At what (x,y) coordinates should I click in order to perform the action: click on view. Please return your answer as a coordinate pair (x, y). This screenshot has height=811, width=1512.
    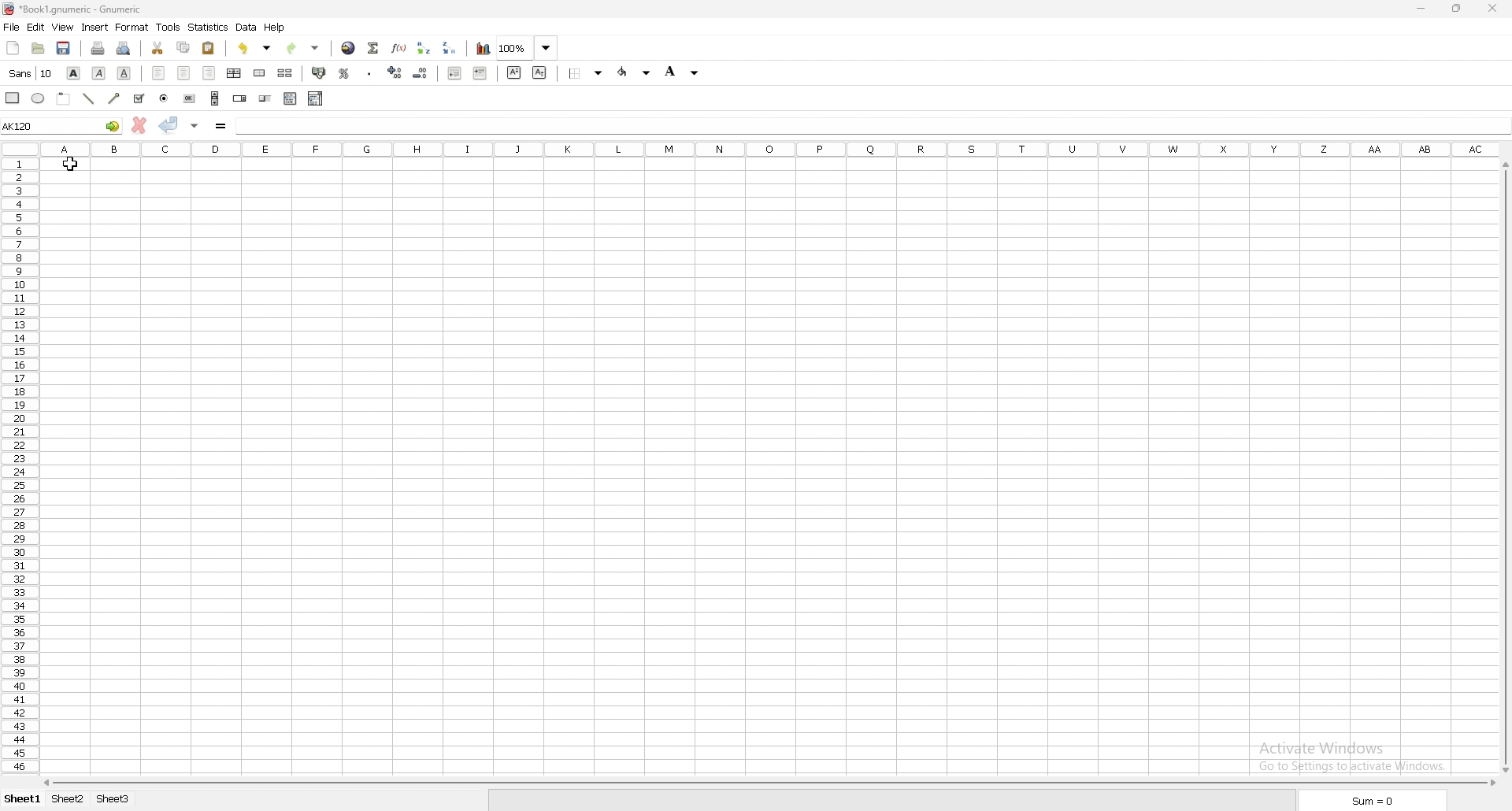
    Looking at the image, I should click on (62, 27).